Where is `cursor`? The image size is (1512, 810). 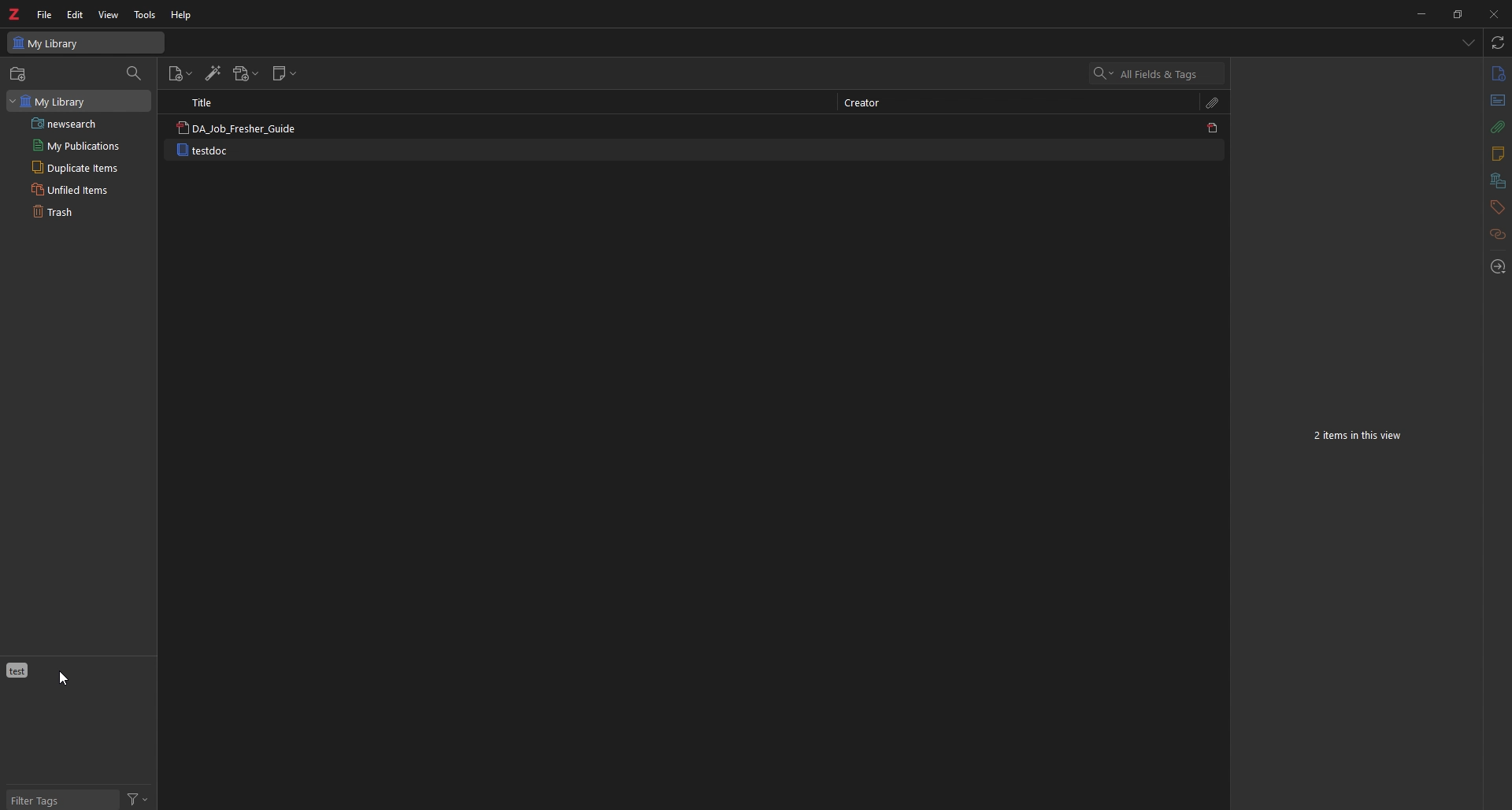
cursor is located at coordinates (64, 679).